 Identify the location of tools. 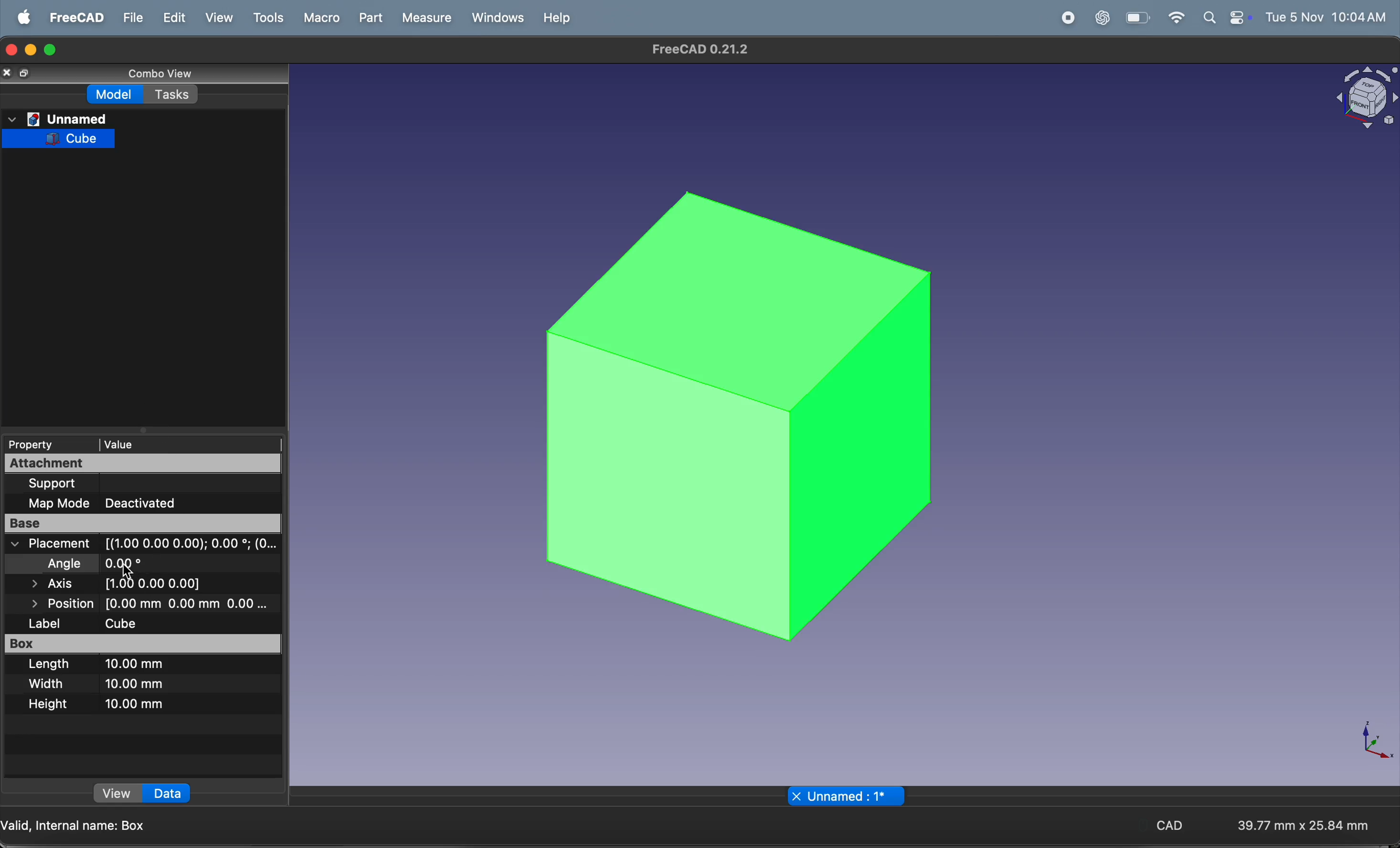
(263, 18).